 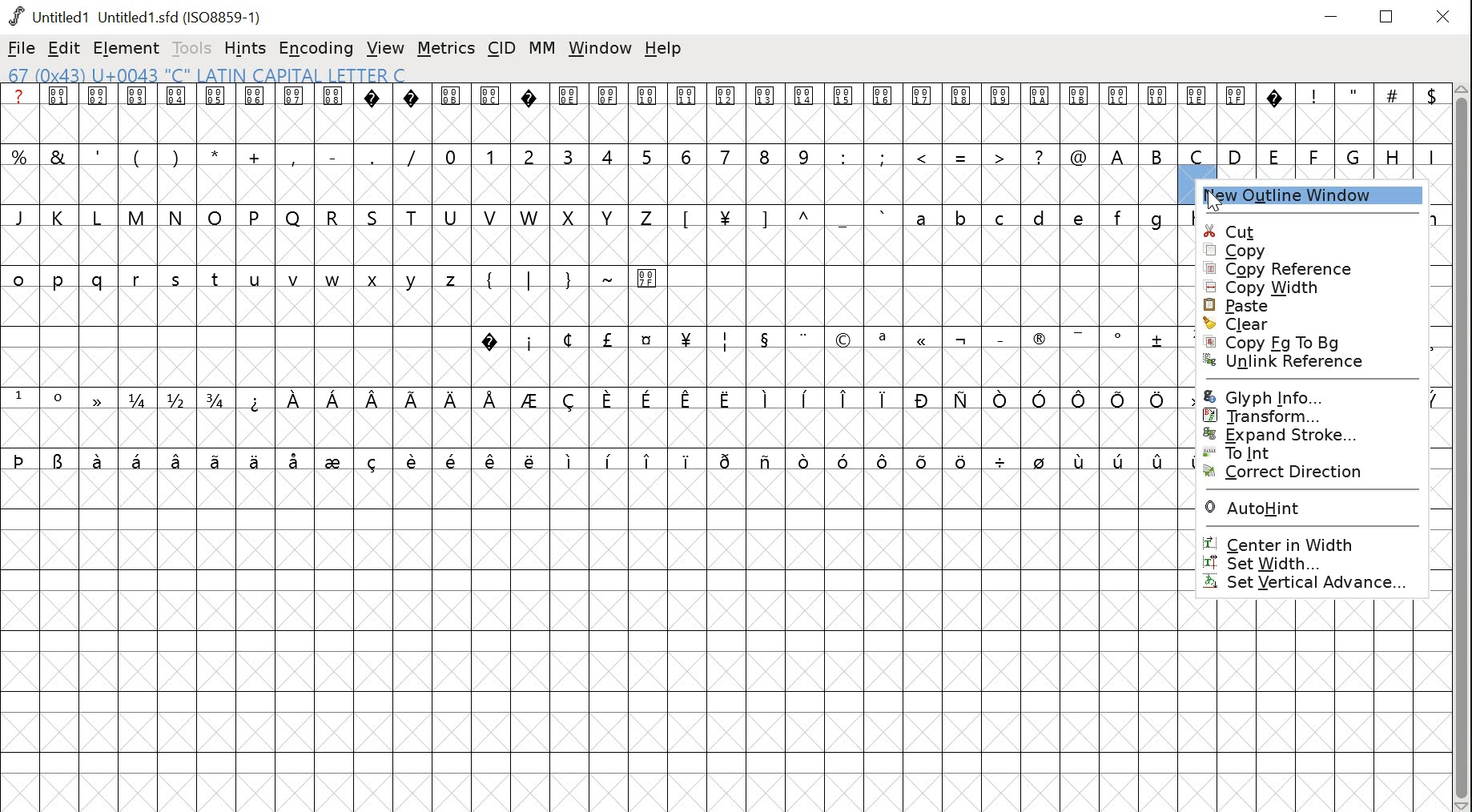 What do you see at coordinates (445, 48) in the screenshot?
I see `metrics` at bounding box center [445, 48].